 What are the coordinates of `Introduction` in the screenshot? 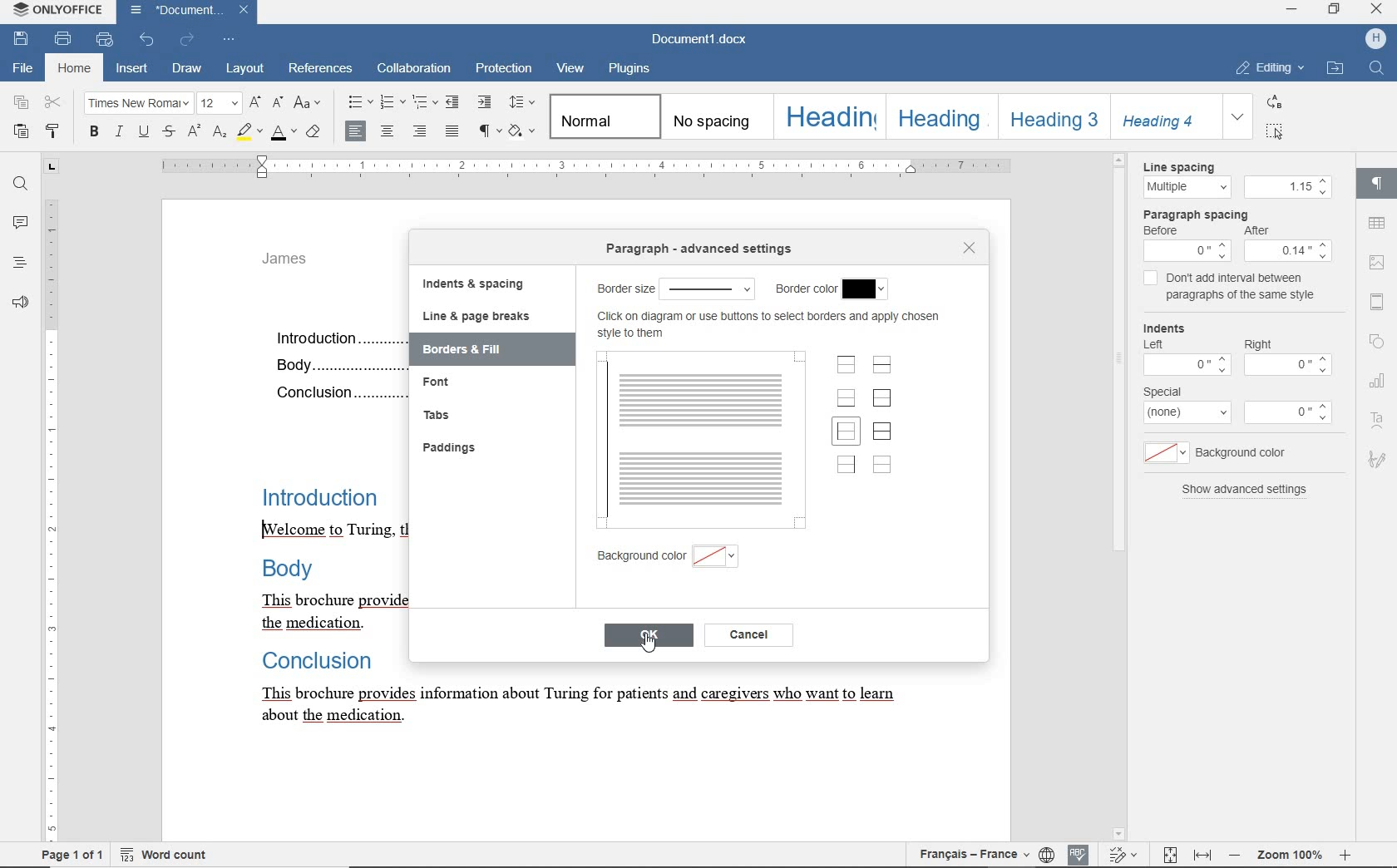 It's located at (325, 496).